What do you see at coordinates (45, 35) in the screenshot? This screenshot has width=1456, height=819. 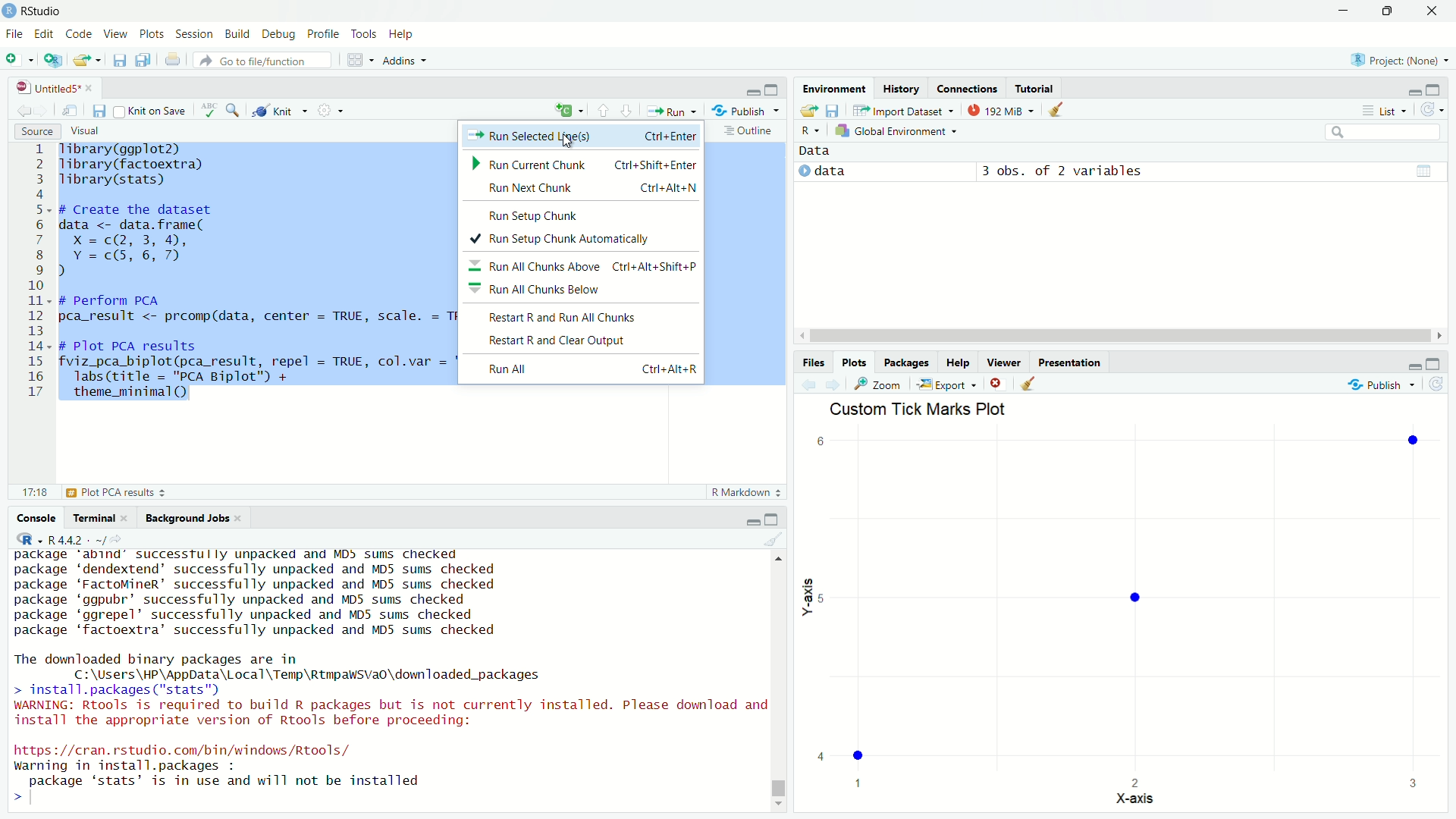 I see `Edit` at bounding box center [45, 35].